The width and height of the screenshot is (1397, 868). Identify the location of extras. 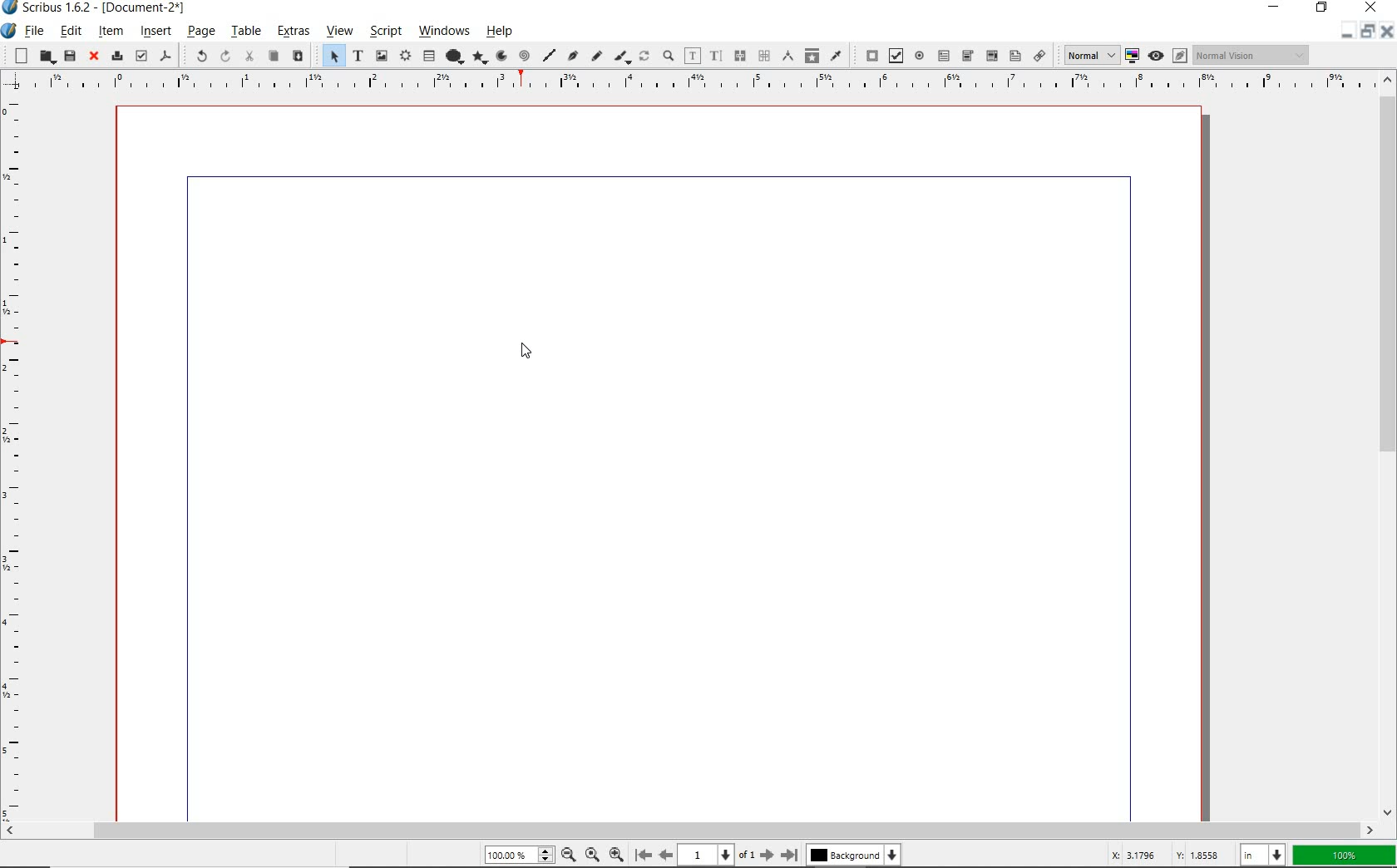
(290, 31).